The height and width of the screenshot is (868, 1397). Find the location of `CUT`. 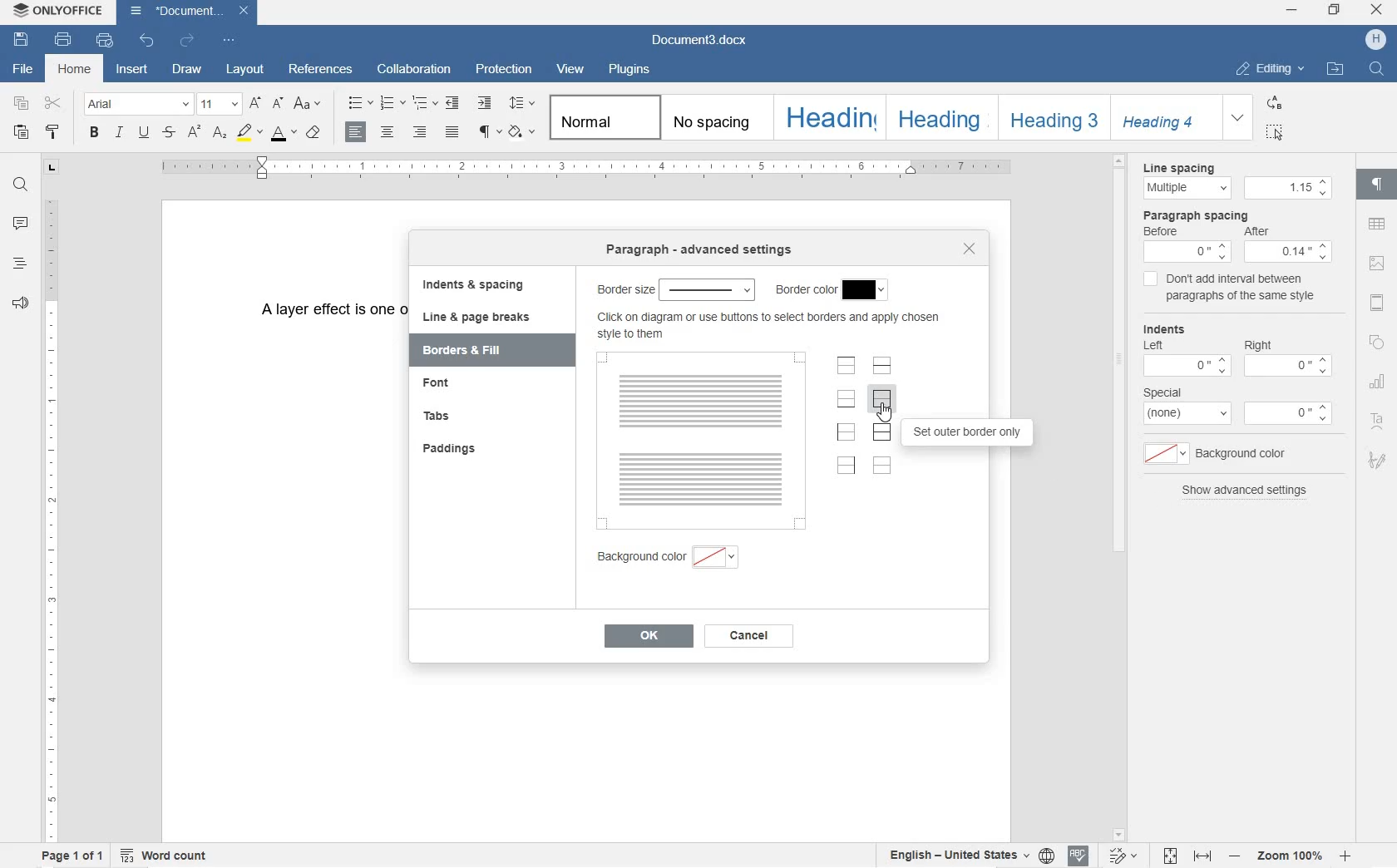

CUT is located at coordinates (56, 105).